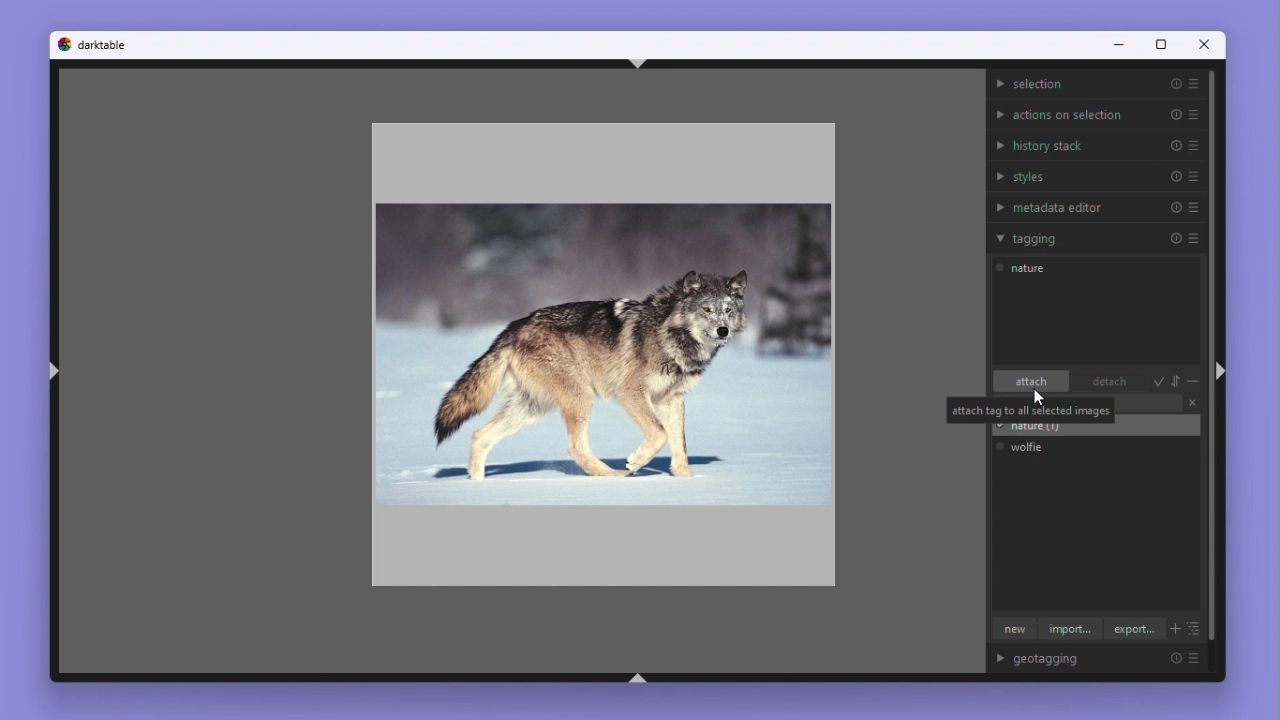 The image size is (1280, 720). What do you see at coordinates (1104, 383) in the screenshot?
I see `Detach` at bounding box center [1104, 383].